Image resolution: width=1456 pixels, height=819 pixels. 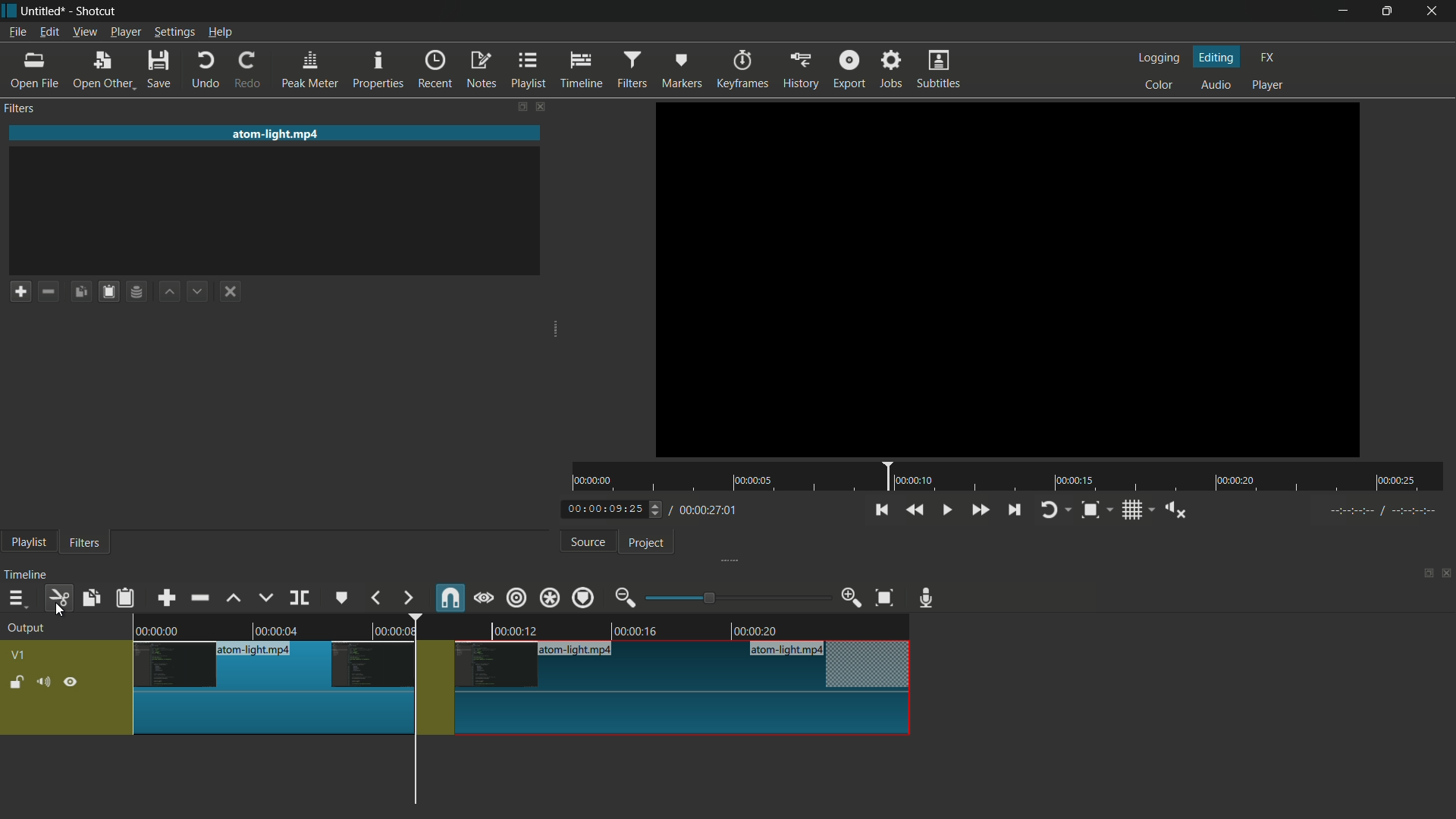 What do you see at coordinates (438, 70) in the screenshot?
I see `recent` at bounding box center [438, 70].